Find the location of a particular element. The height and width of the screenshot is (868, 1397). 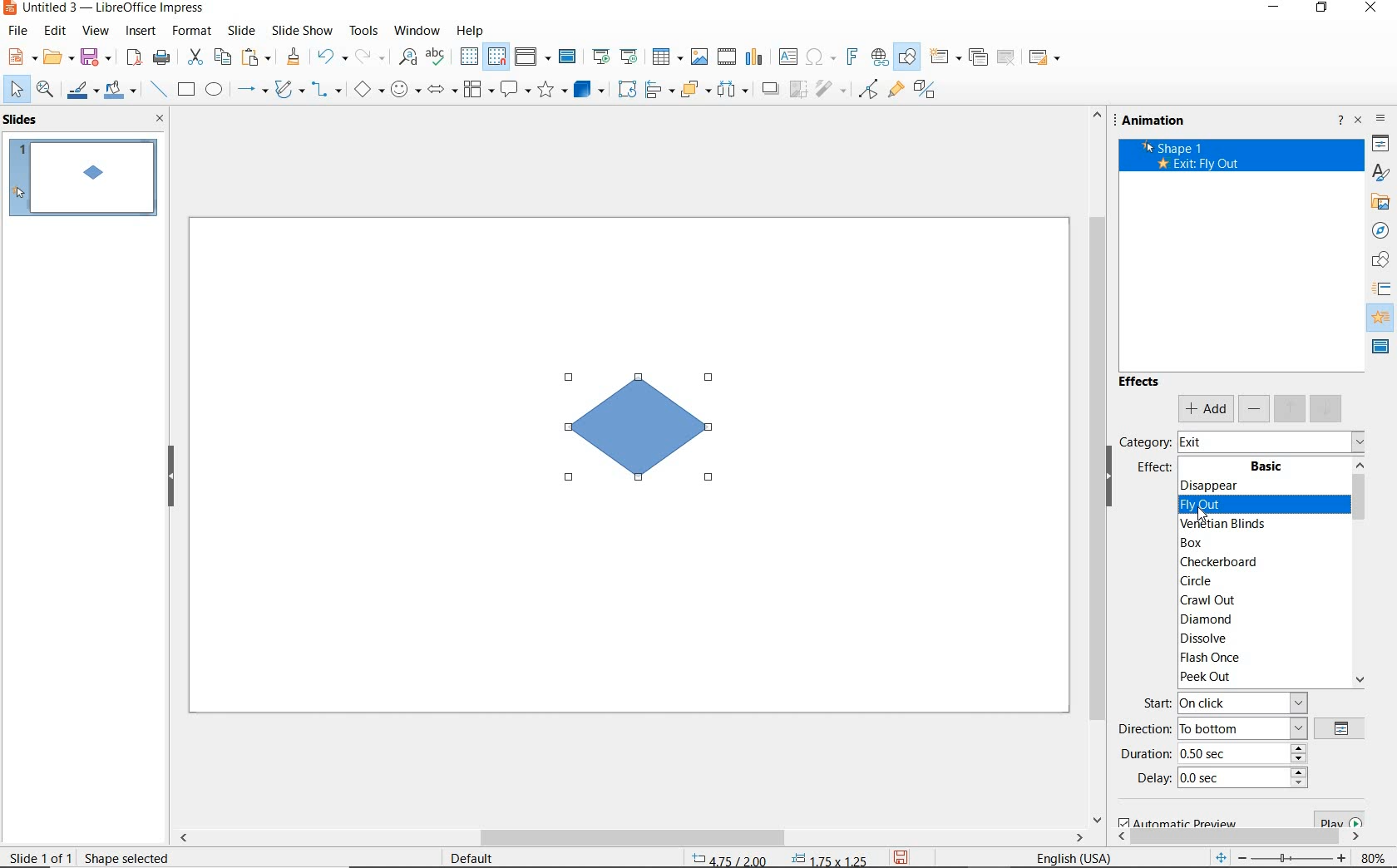

close is located at coordinates (161, 121).